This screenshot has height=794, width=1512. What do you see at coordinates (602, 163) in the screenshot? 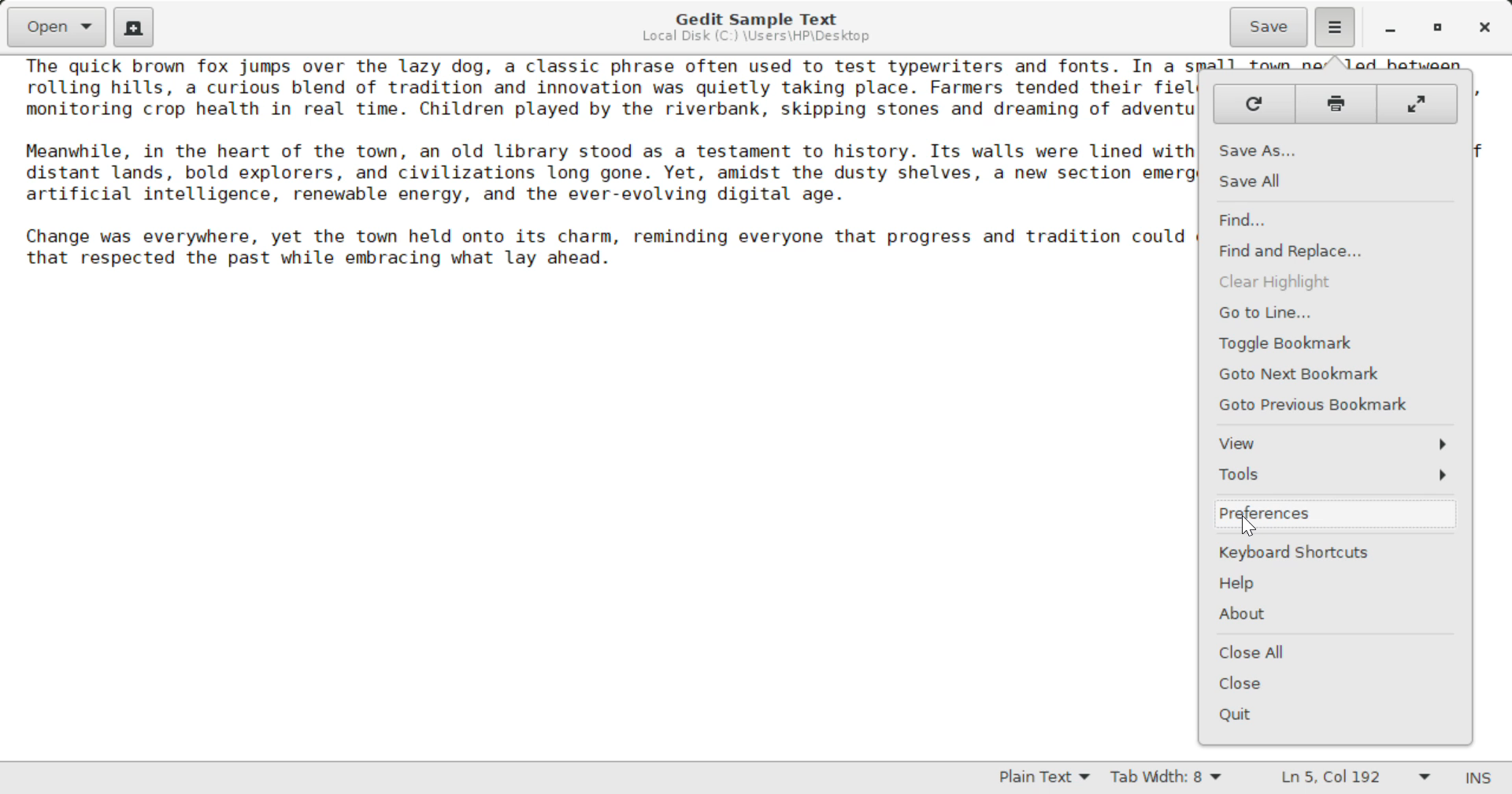
I see `The quick brown fox jumps over the lazy dog, a classic phrase often used to test typewriters and fonts. In a small town nestled between
rolling hills, a curious blend of tradition and innovation was quietly taking place. Farmers tended their fields as drones flew overhead,
monitoring crop health in real time. Children played by the riverbank, skipping stones and dreaming of adventures beyond the horizon.
Meanwhile, in the heart of the town, an old library stood as a testament to history. Its walls were lined with books that told stories of
distant lands, bold explorers, and civilizations long gone. Yet, amidst the dusty shelves, a new section emerged: one dedicated to
artificial intelligence, renewable energy, and the ever-evolving digital age.

Change was everywhere, yet the town held onto its charm, reminding everyone that progress and tradition could coexist, shaping a future
that respected the past while embracing what lay ahead.` at bounding box center [602, 163].